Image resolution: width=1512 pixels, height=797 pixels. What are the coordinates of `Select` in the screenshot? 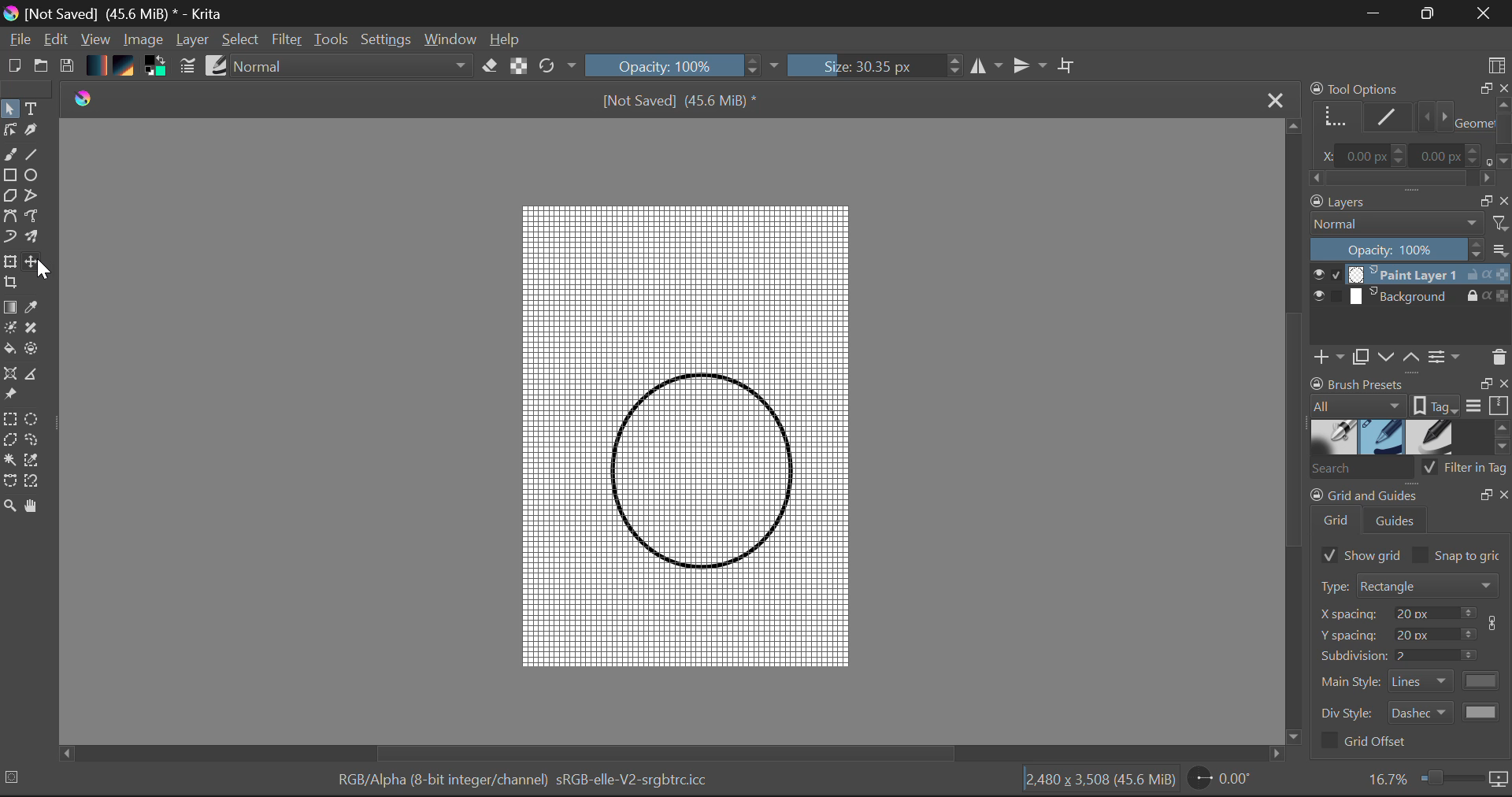 It's located at (241, 40).